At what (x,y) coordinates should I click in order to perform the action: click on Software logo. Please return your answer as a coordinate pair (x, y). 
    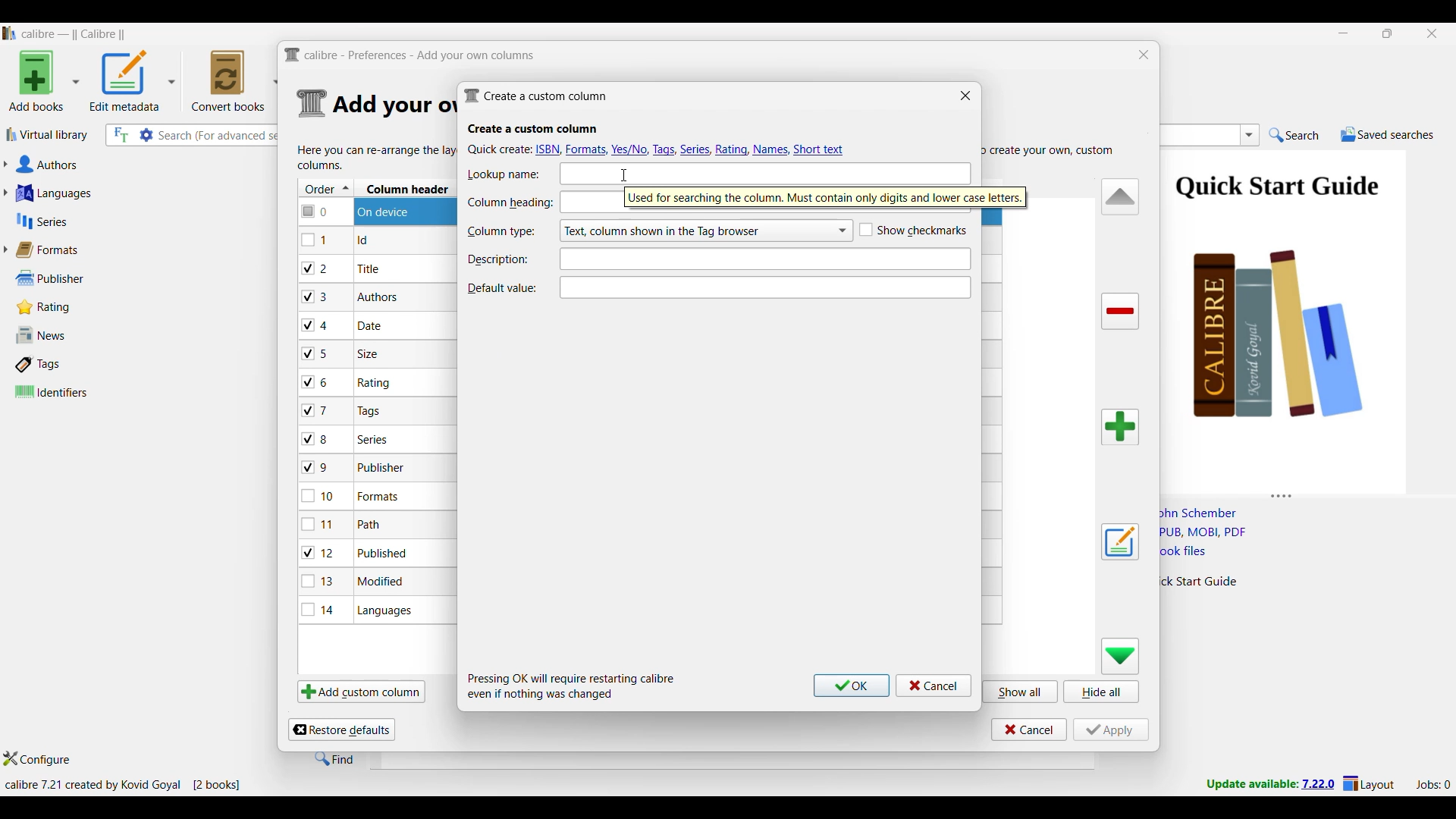
    Looking at the image, I should click on (10, 33).